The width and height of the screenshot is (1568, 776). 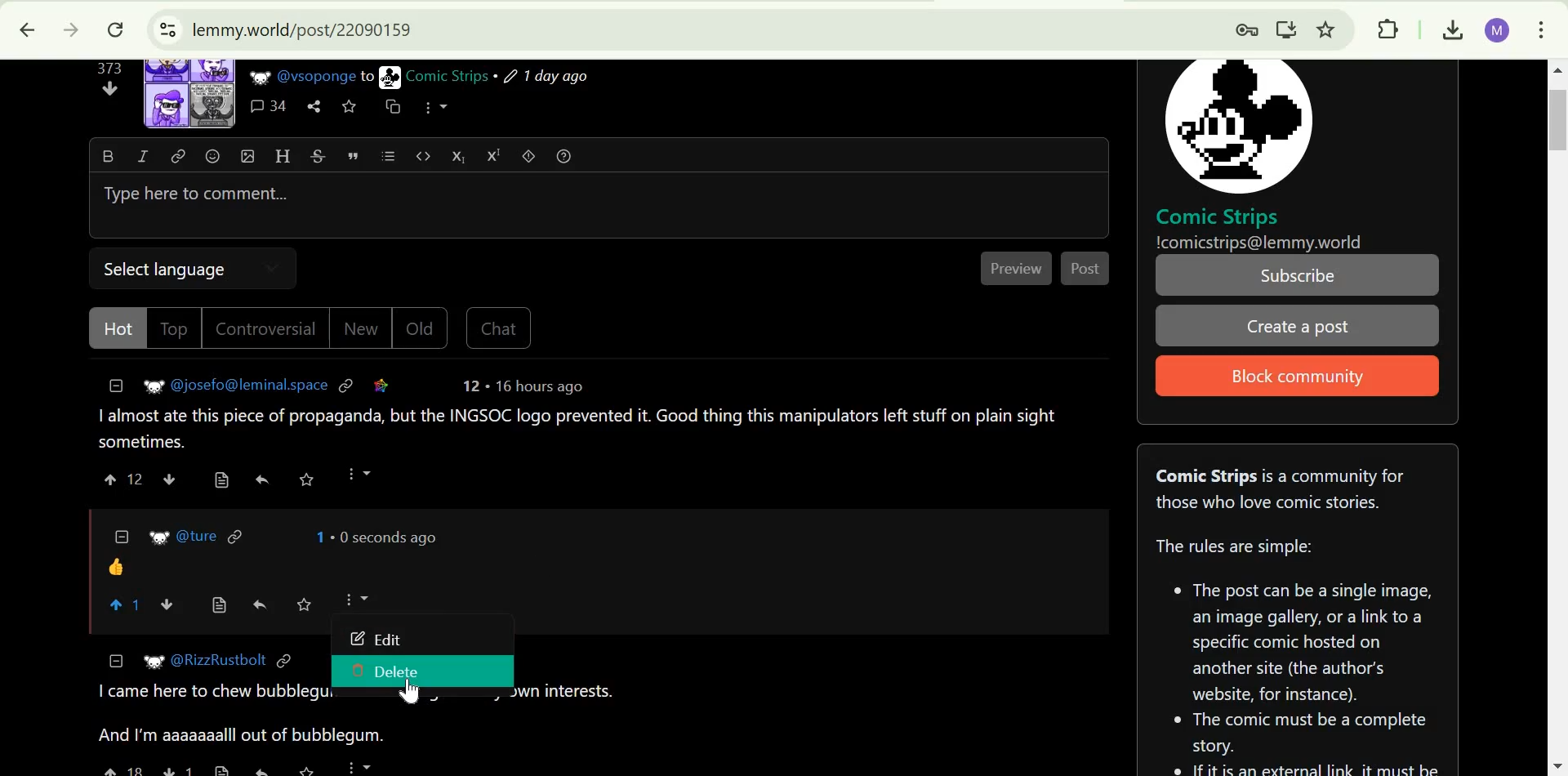 What do you see at coordinates (178, 768) in the screenshot?
I see `downvote` at bounding box center [178, 768].